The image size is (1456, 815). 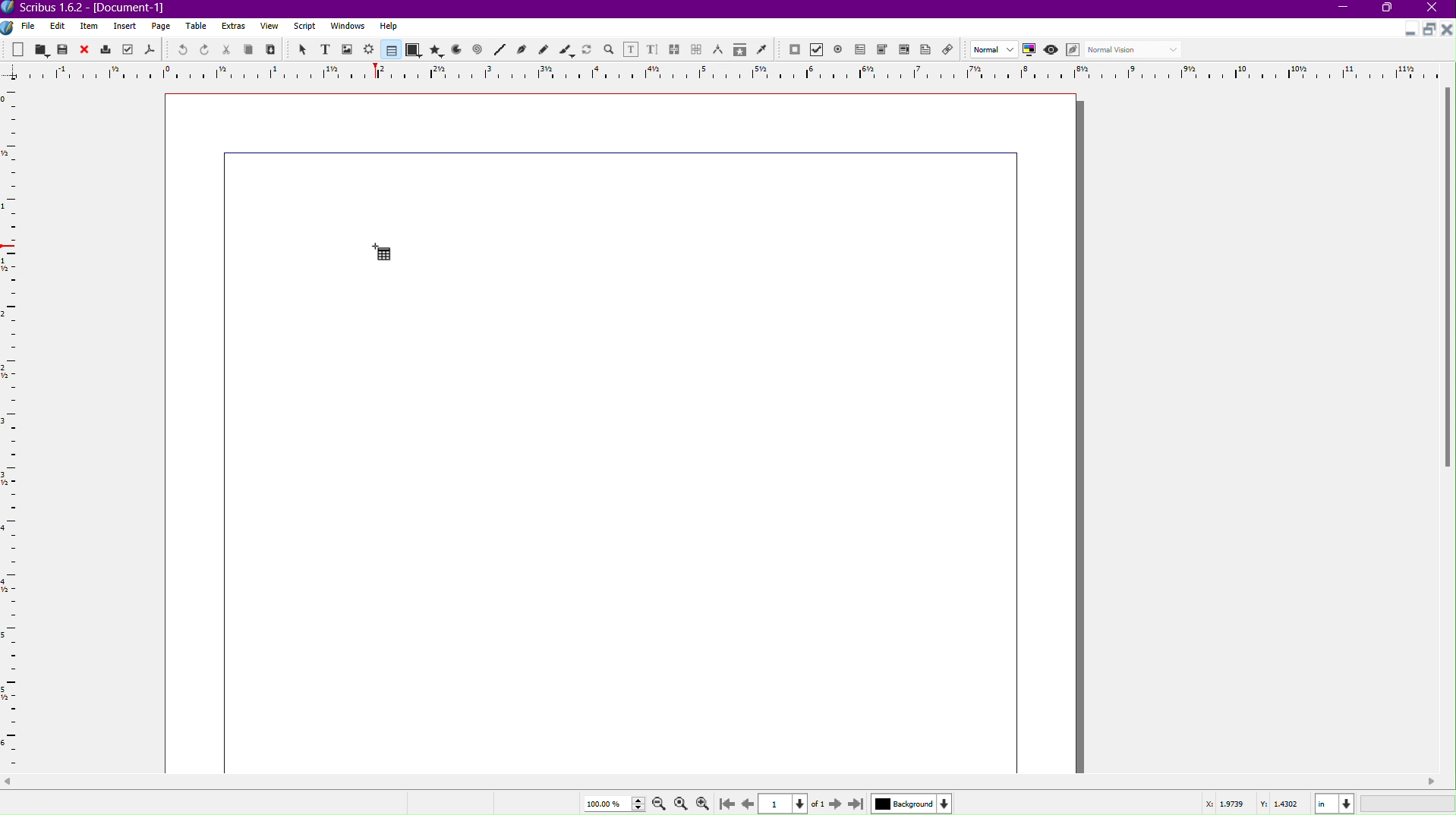 What do you see at coordinates (1325, 802) in the screenshot?
I see `Coordinates` at bounding box center [1325, 802].